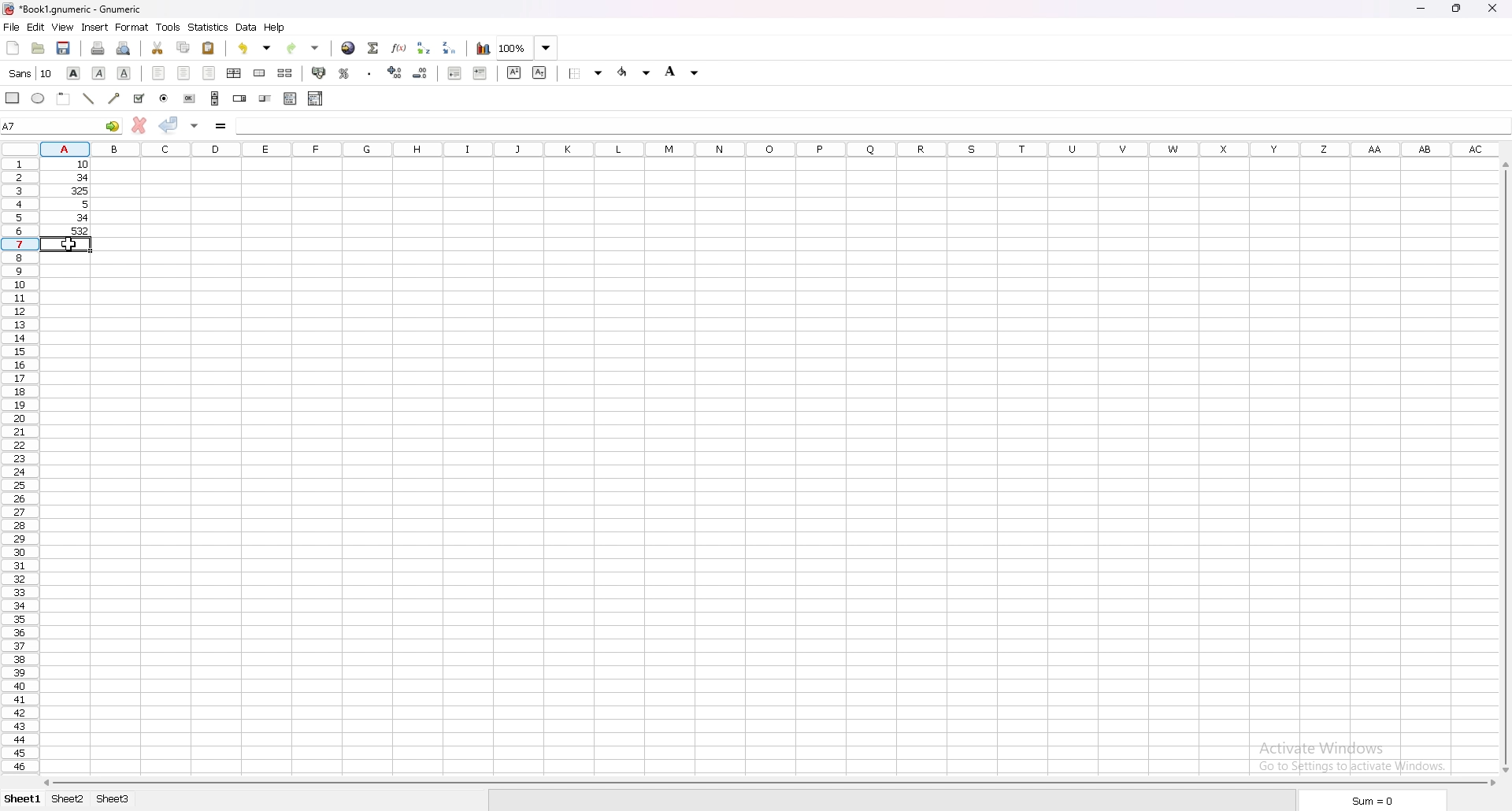  I want to click on scroll bar, so click(215, 98).